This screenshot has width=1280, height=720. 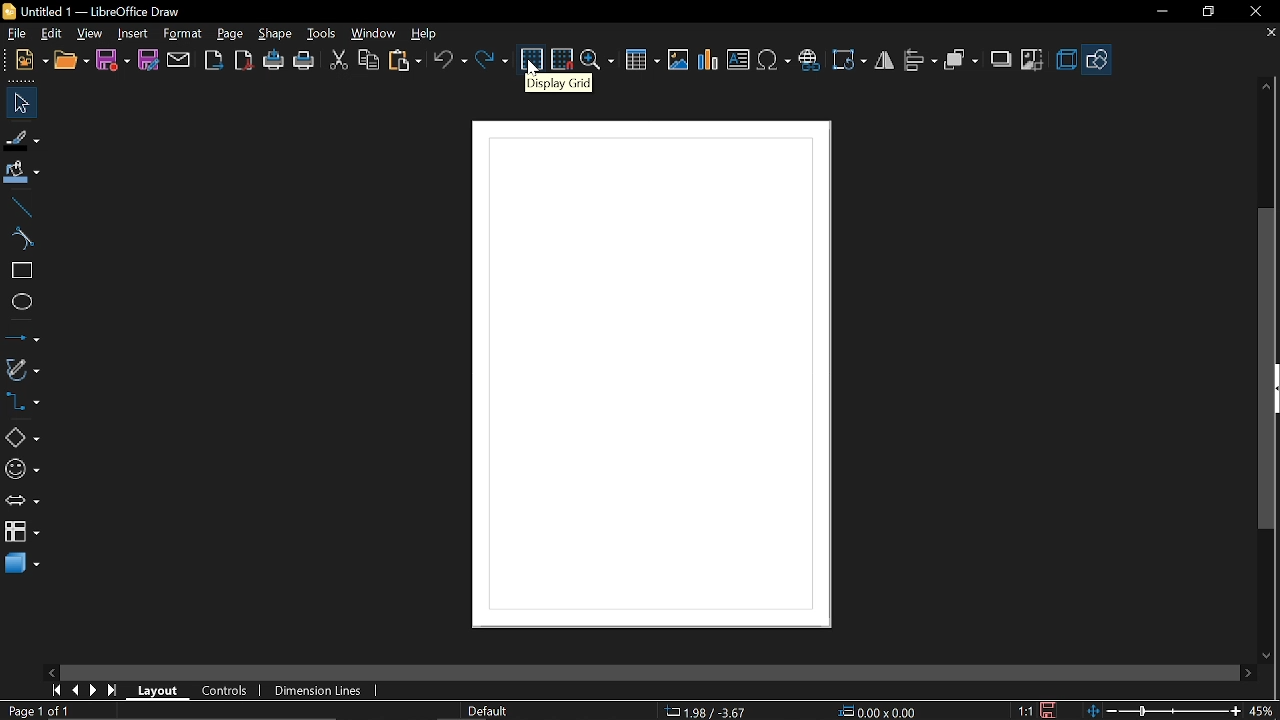 I want to click on close tab, so click(x=1269, y=34).